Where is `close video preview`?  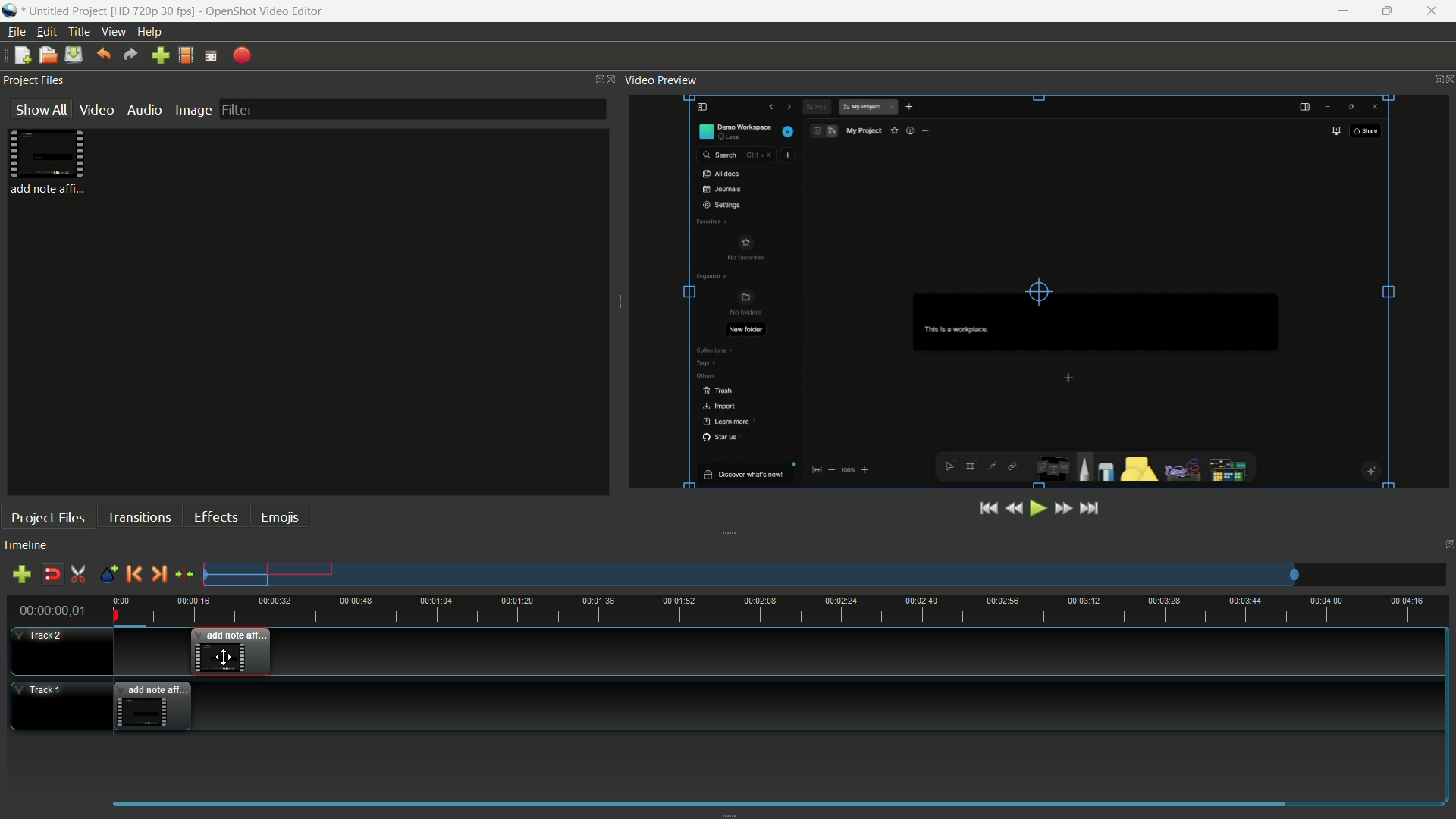 close video preview is located at coordinates (1447, 80).